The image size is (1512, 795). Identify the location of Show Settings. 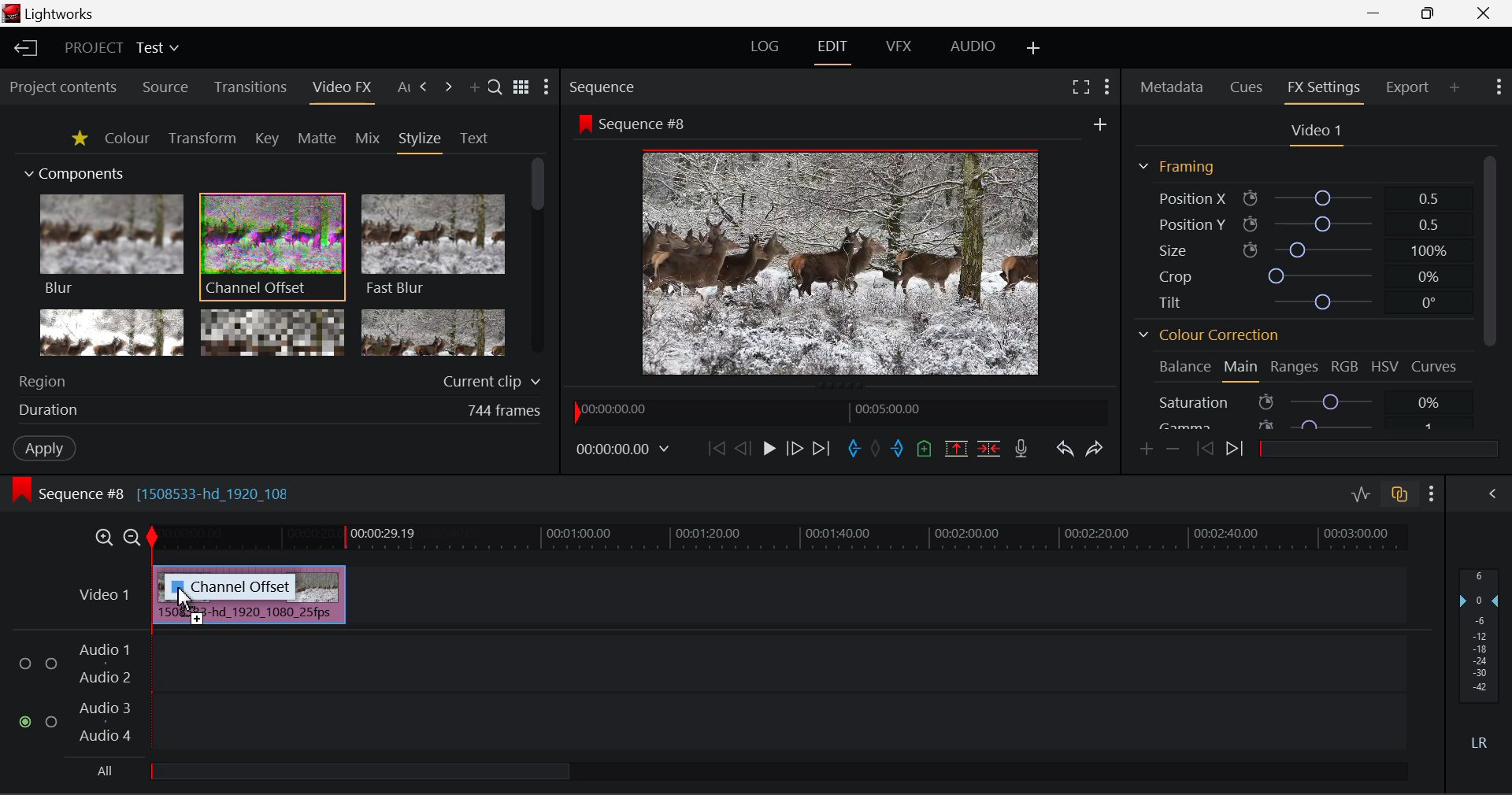
(1431, 494).